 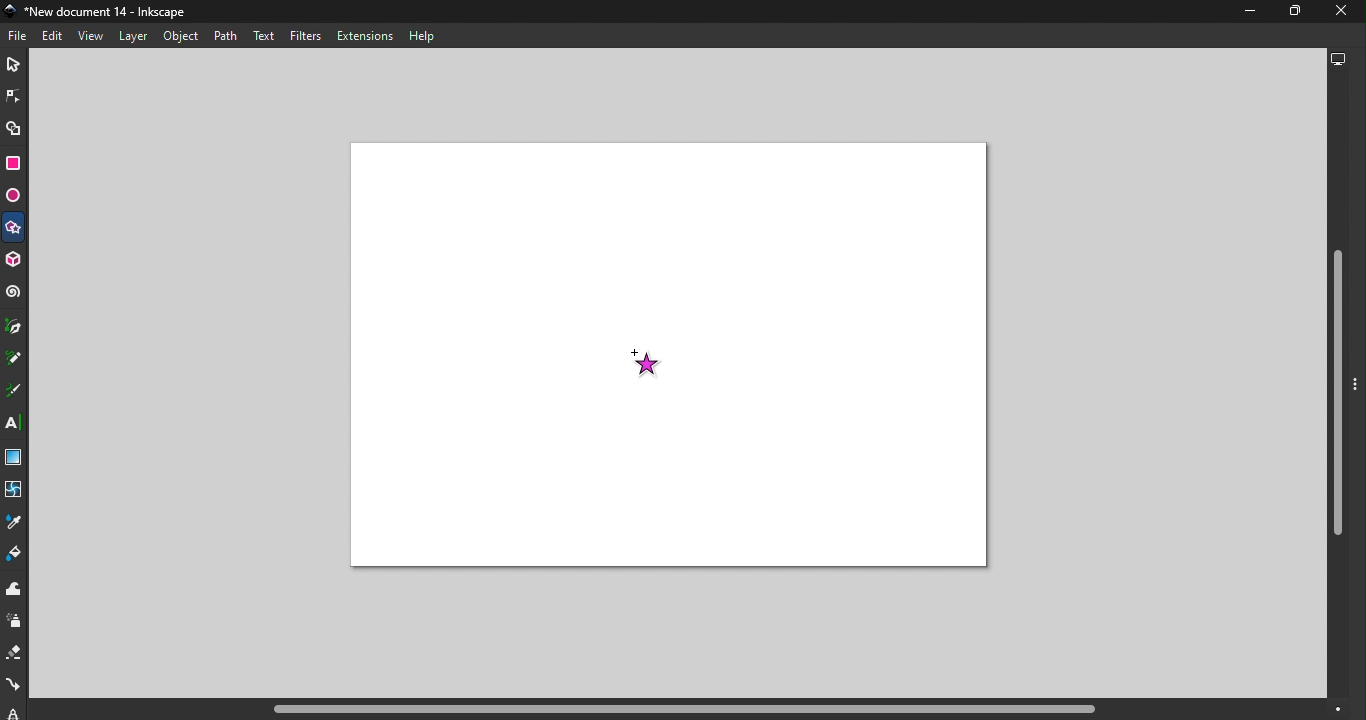 I want to click on Spray tool, so click(x=15, y=621).